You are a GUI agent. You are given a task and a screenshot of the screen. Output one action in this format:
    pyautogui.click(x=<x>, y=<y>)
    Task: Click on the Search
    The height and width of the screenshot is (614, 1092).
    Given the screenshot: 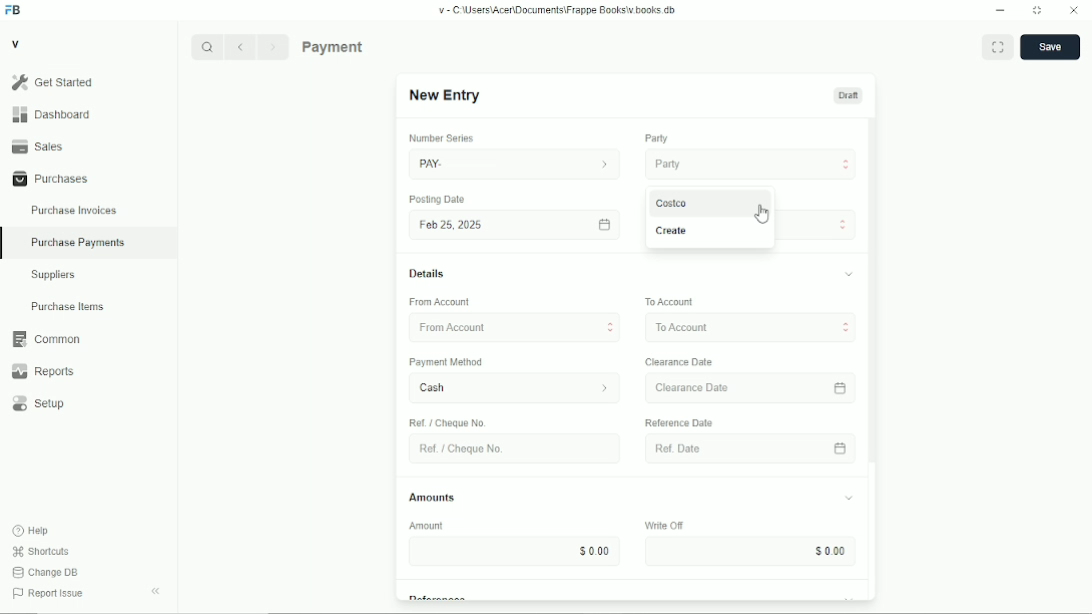 What is the action you would take?
    pyautogui.click(x=207, y=47)
    